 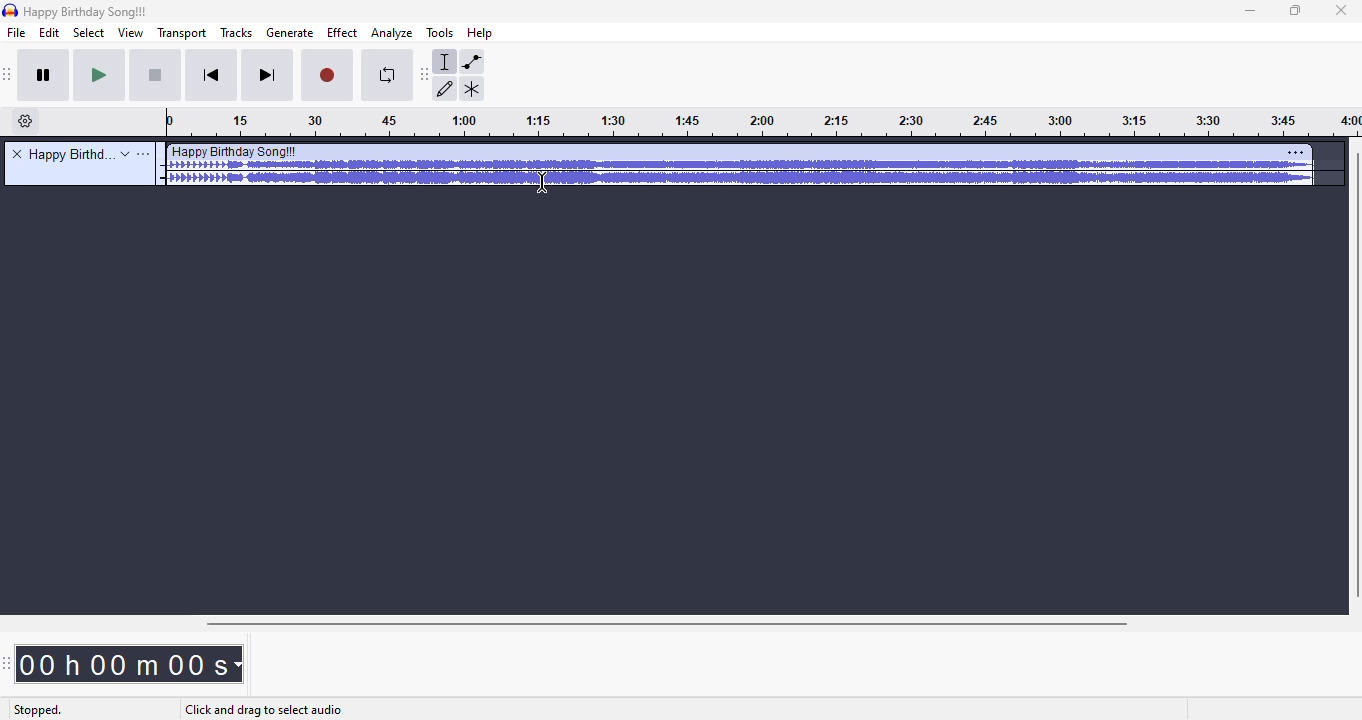 What do you see at coordinates (9, 75) in the screenshot?
I see `audacity transport toolbar` at bounding box center [9, 75].